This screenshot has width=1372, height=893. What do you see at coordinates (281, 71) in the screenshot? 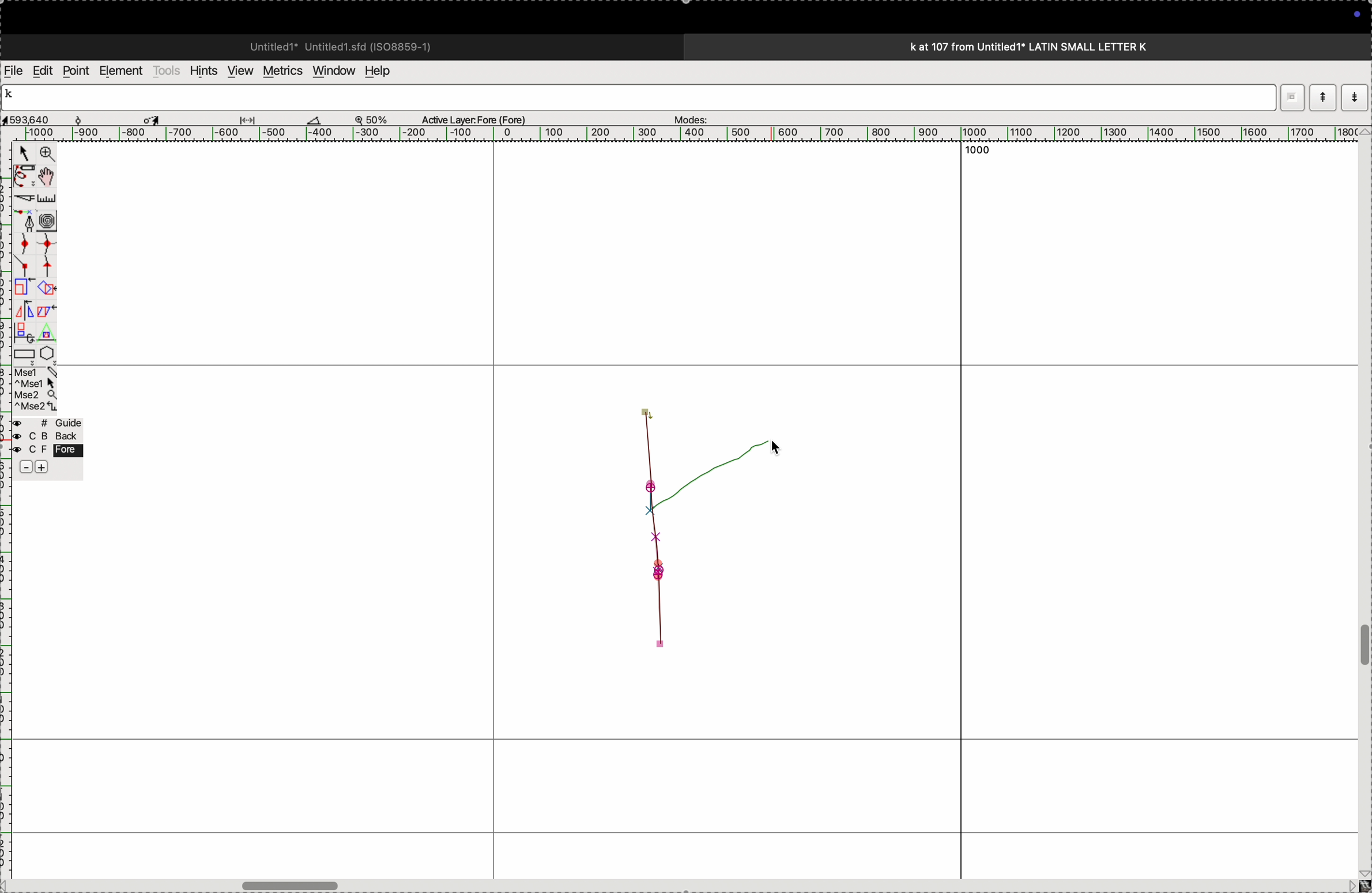
I see `metrics` at bounding box center [281, 71].